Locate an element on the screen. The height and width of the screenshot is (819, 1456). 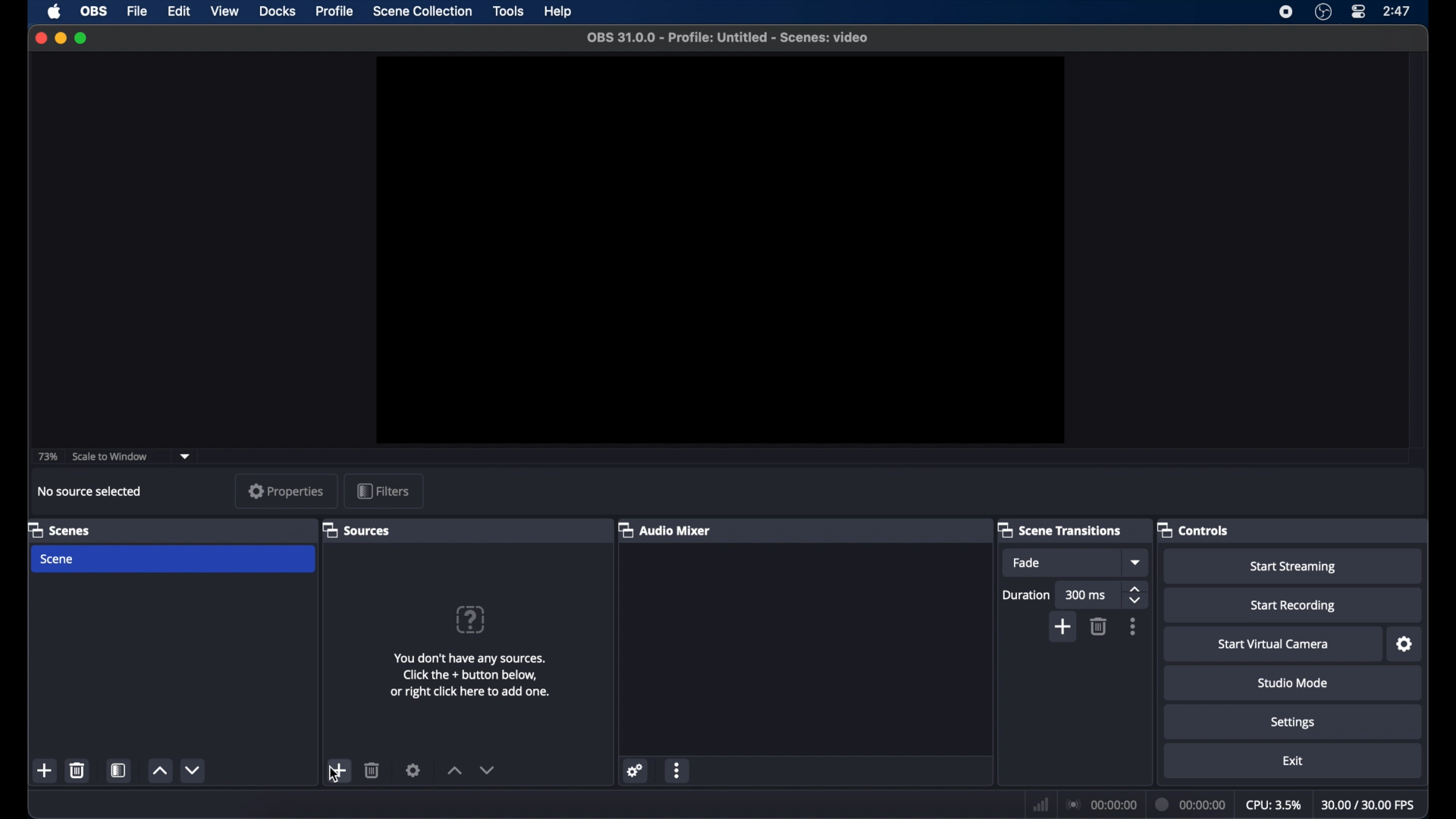
studio mode is located at coordinates (1293, 684).